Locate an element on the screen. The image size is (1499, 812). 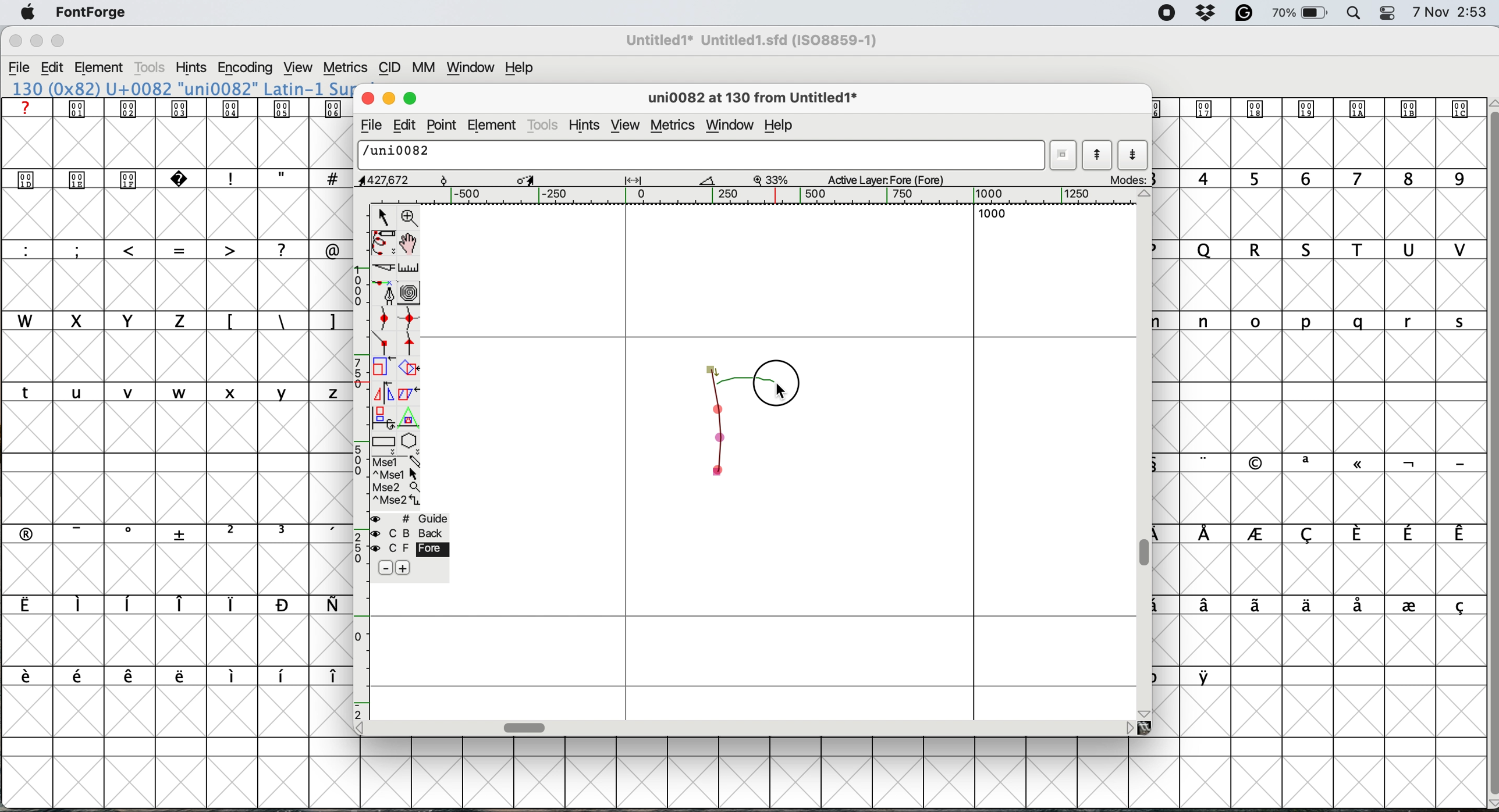
close is located at coordinates (368, 99).